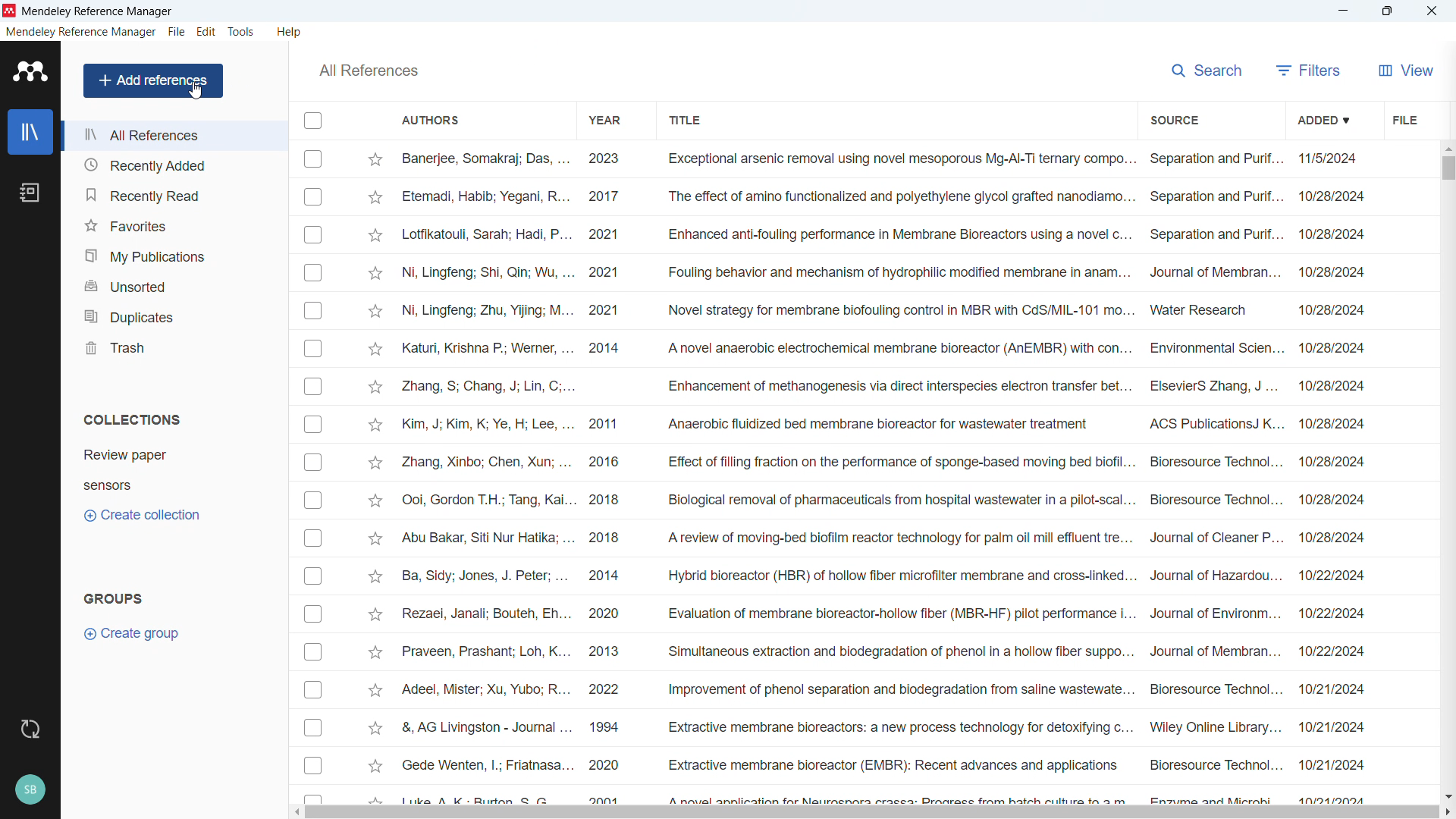  Describe the element at coordinates (30, 730) in the screenshot. I see `Sync ` at that location.